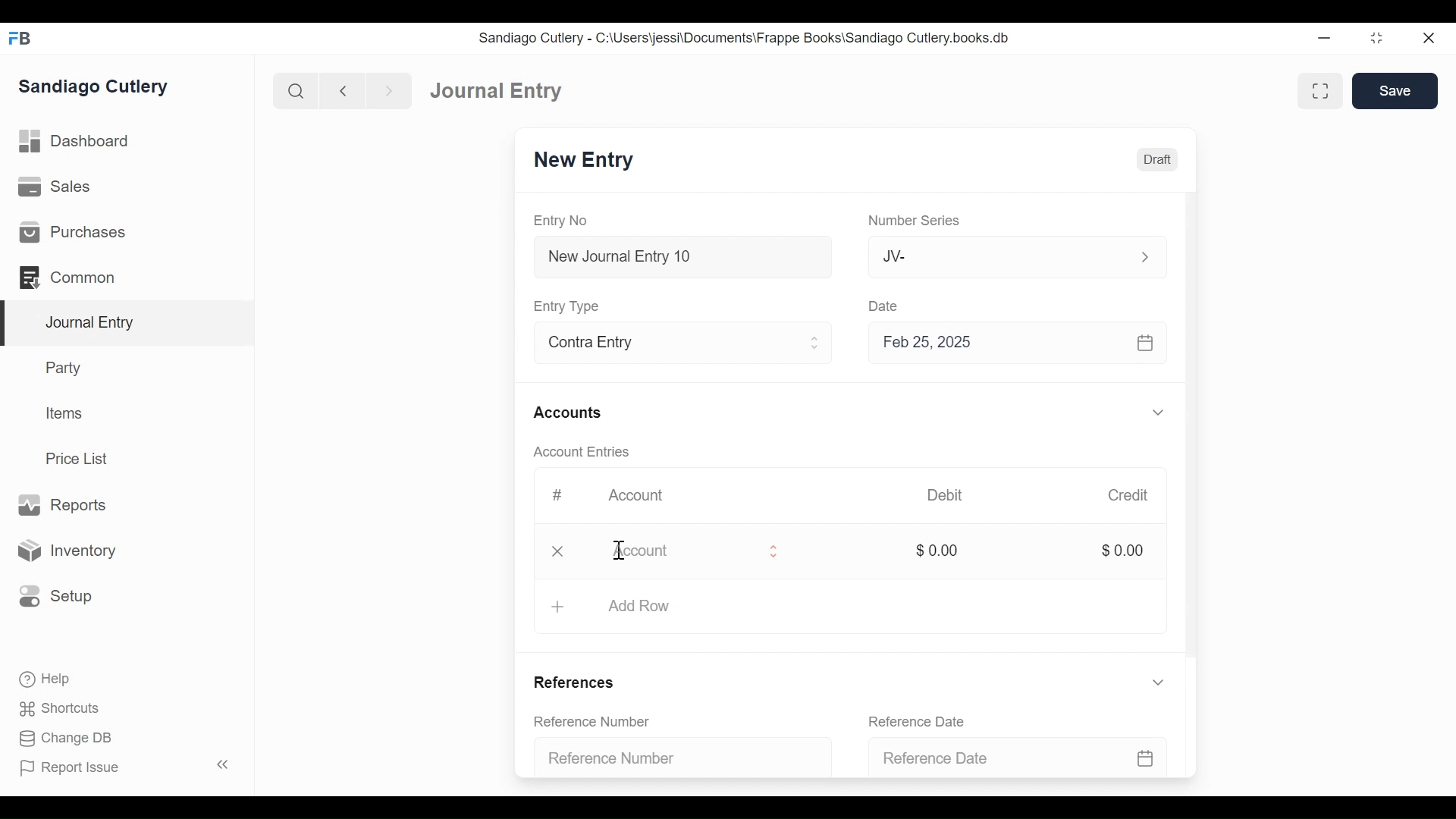  What do you see at coordinates (565, 220) in the screenshot?
I see `Entry No` at bounding box center [565, 220].